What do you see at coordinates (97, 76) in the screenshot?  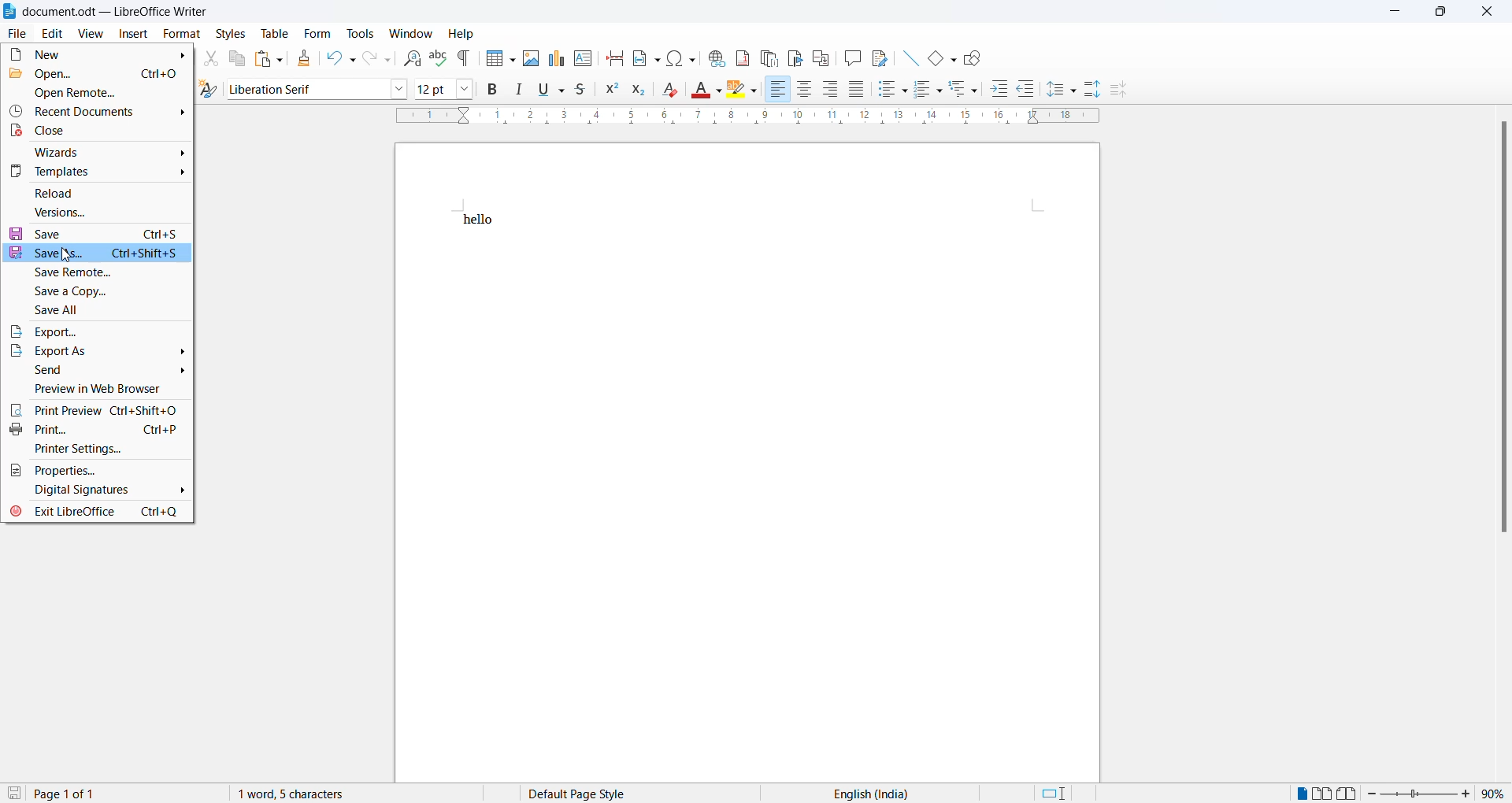 I see `Open` at bounding box center [97, 76].